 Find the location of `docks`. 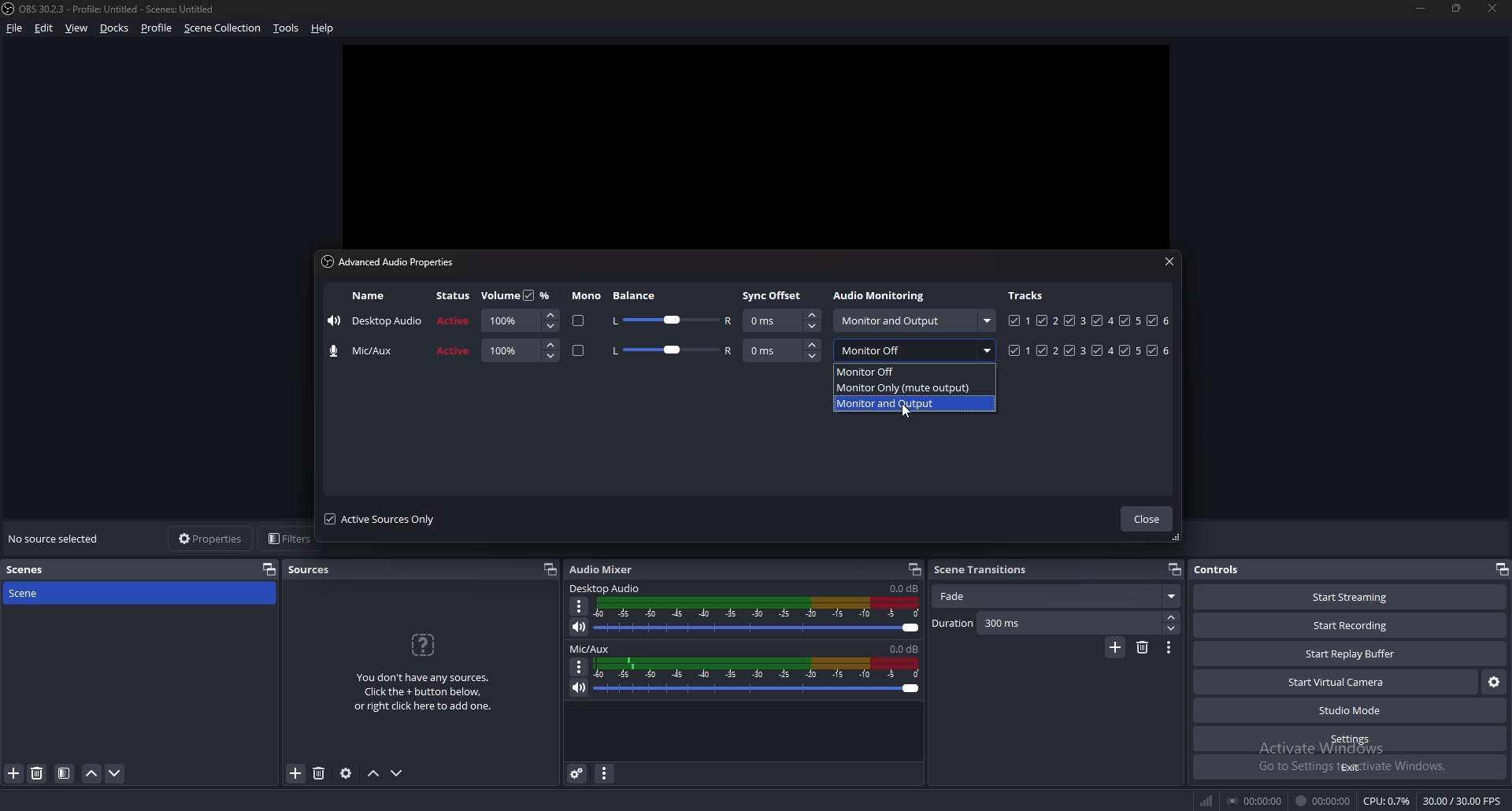

docks is located at coordinates (115, 28).